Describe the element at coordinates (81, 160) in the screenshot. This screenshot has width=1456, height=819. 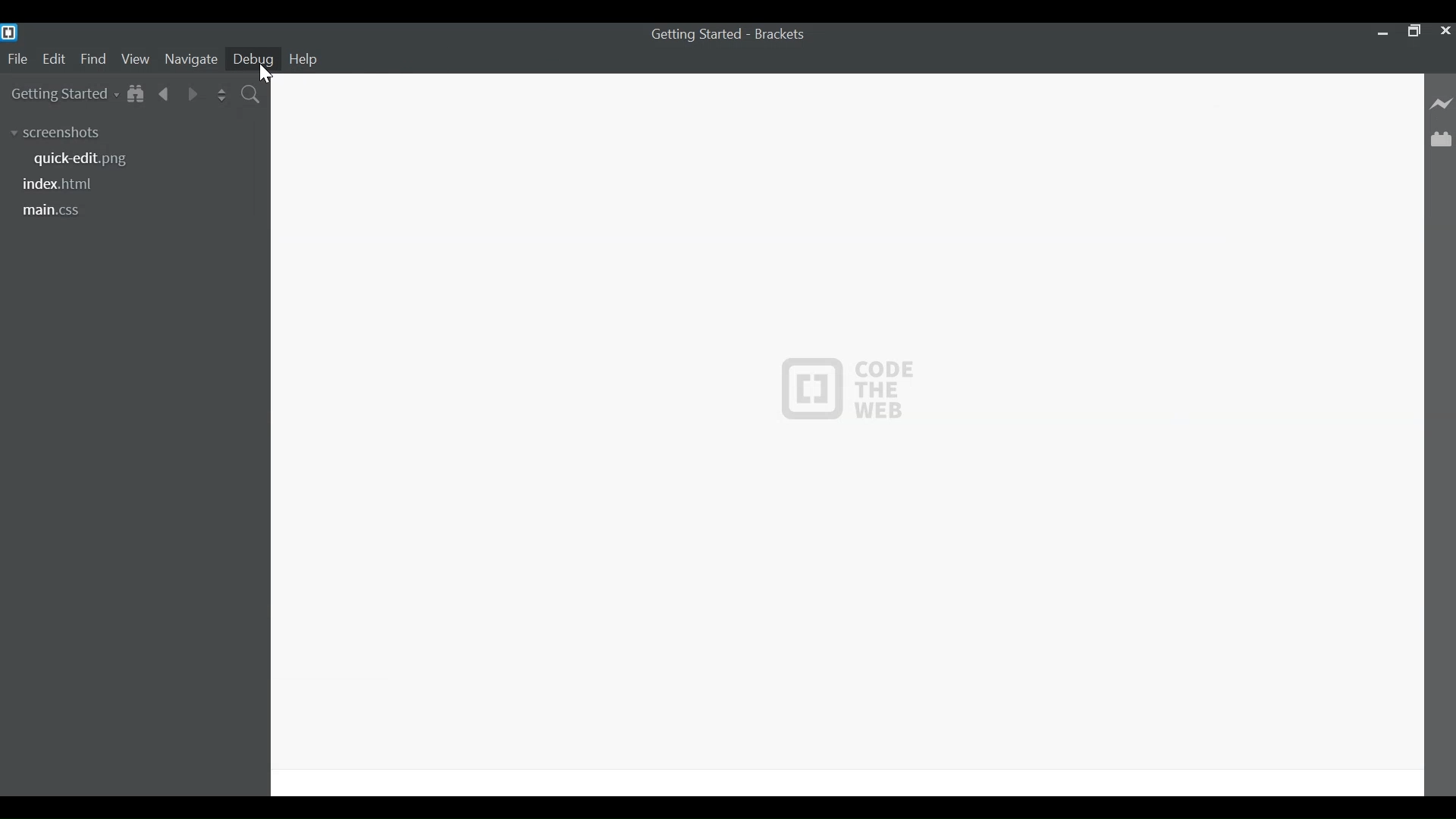
I see `quickedit.png` at that location.